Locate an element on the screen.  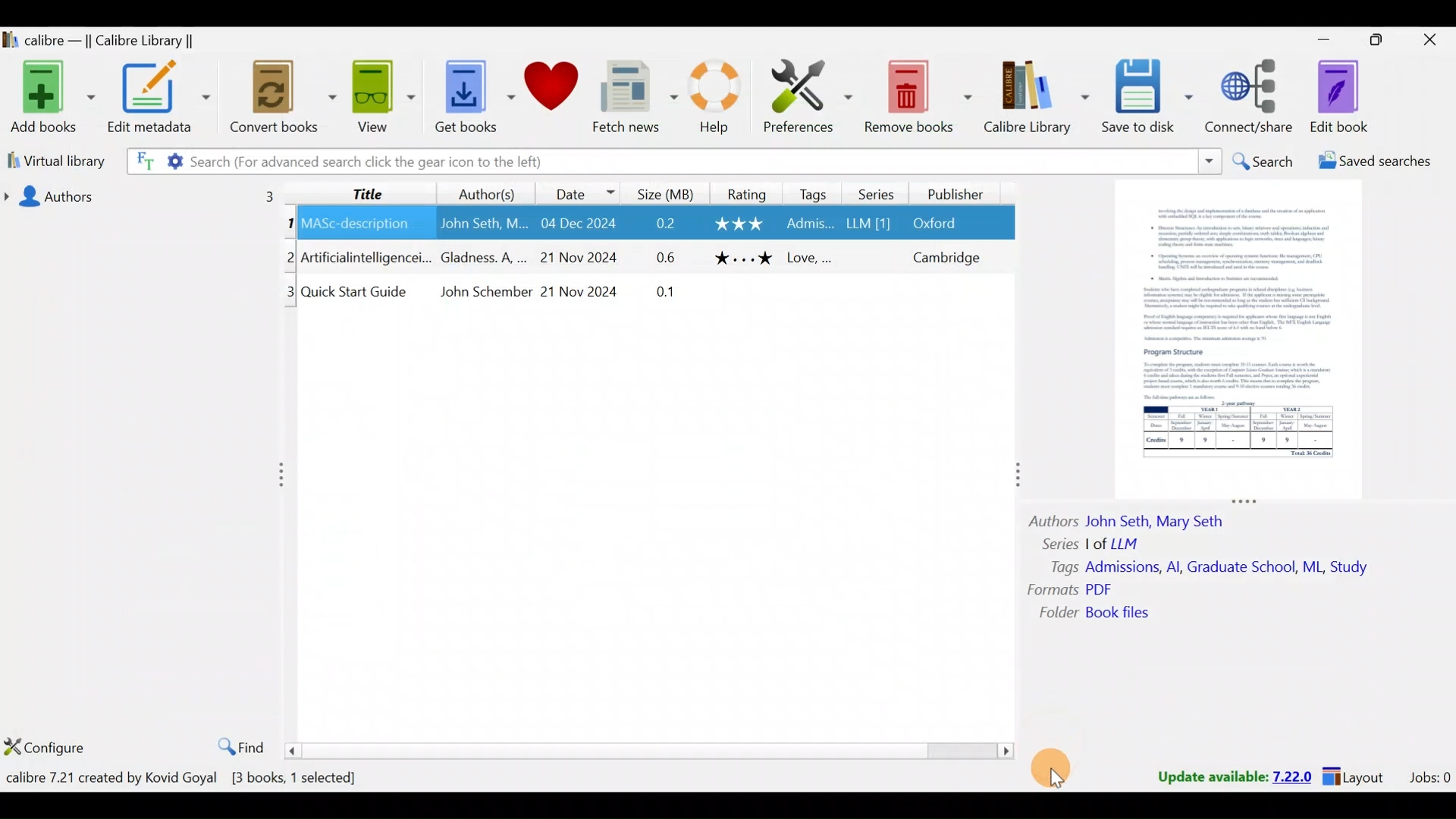
Size is located at coordinates (665, 191).